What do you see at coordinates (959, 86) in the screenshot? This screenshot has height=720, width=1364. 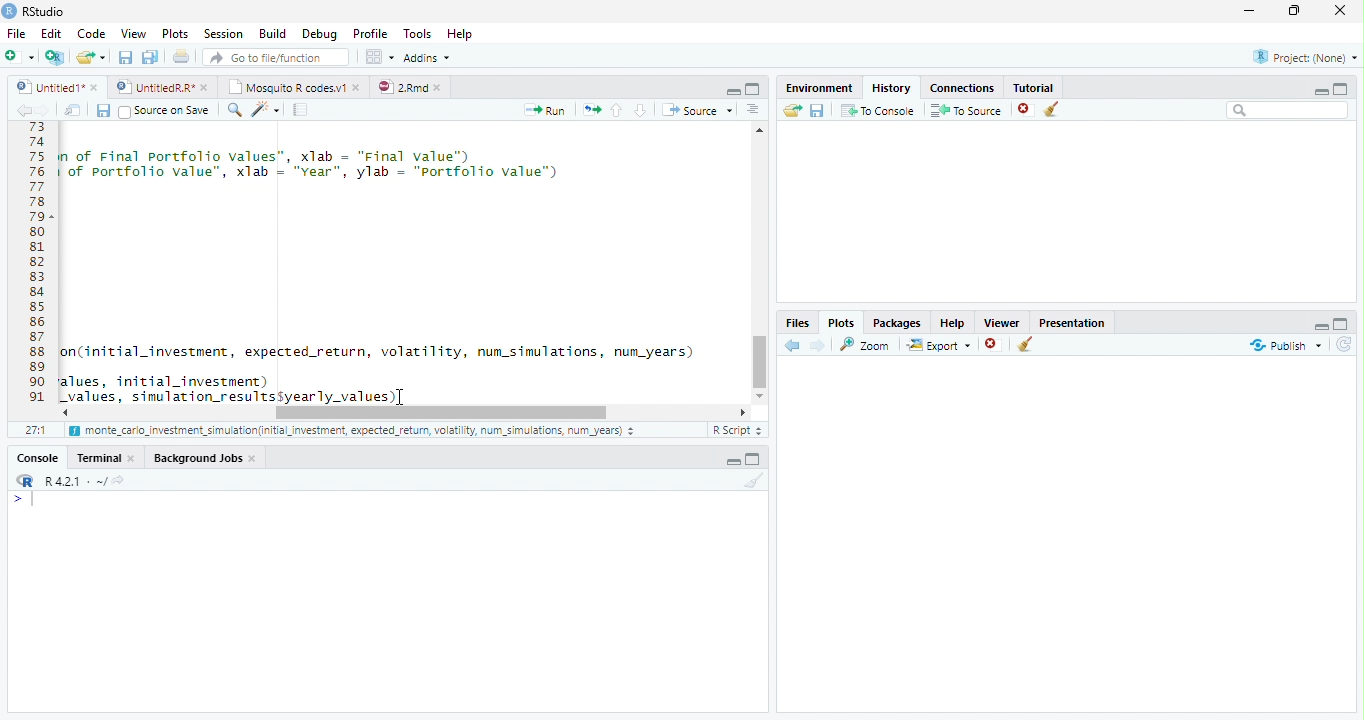 I see `‘Connections` at bounding box center [959, 86].